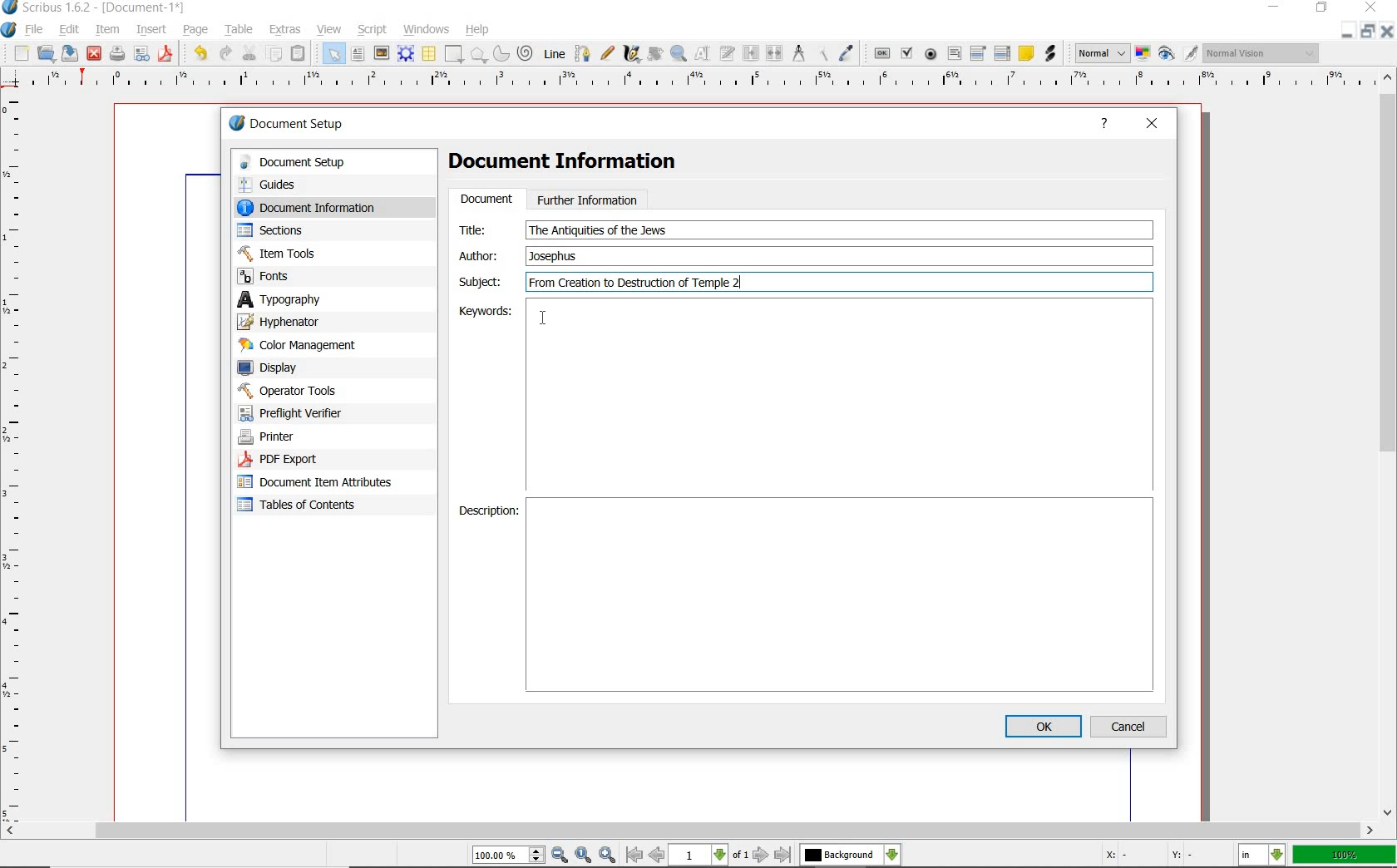  Describe the element at coordinates (47, 53) in the screenshot. I see `open` at that location.